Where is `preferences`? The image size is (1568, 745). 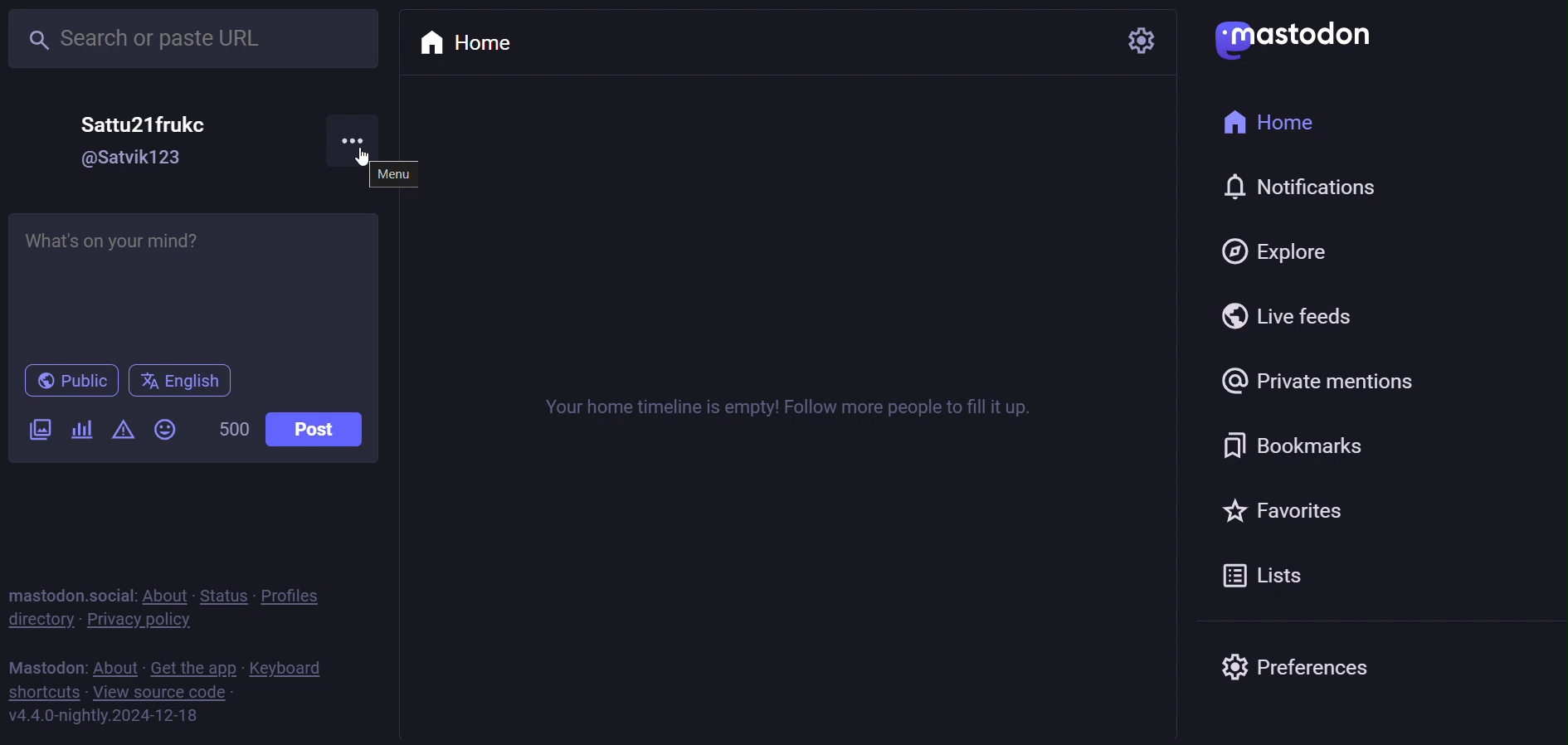
preferences is located at coordinates (1300, 670).